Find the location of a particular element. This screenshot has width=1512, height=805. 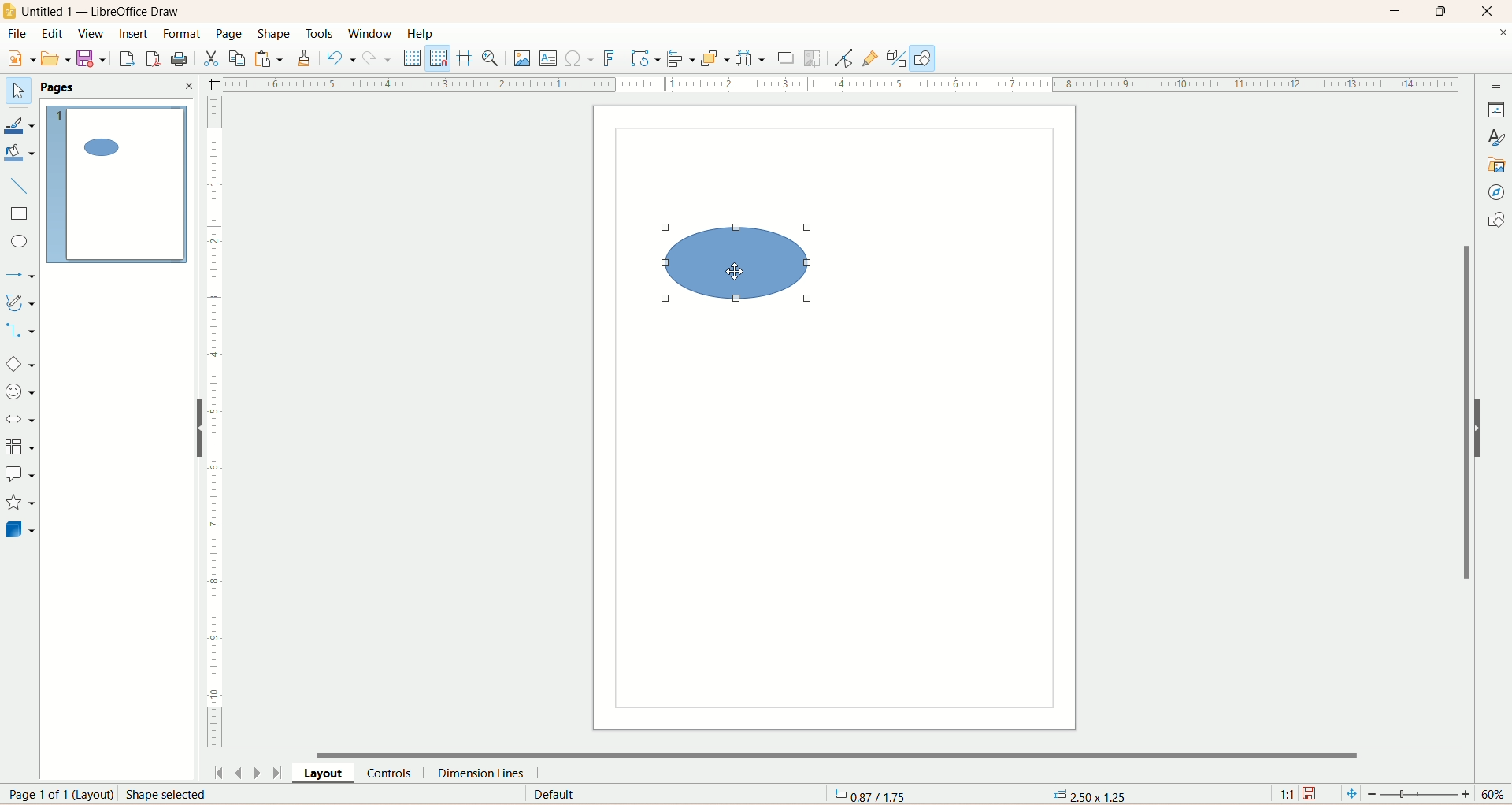

crop image is located at coordinates (814, 58).